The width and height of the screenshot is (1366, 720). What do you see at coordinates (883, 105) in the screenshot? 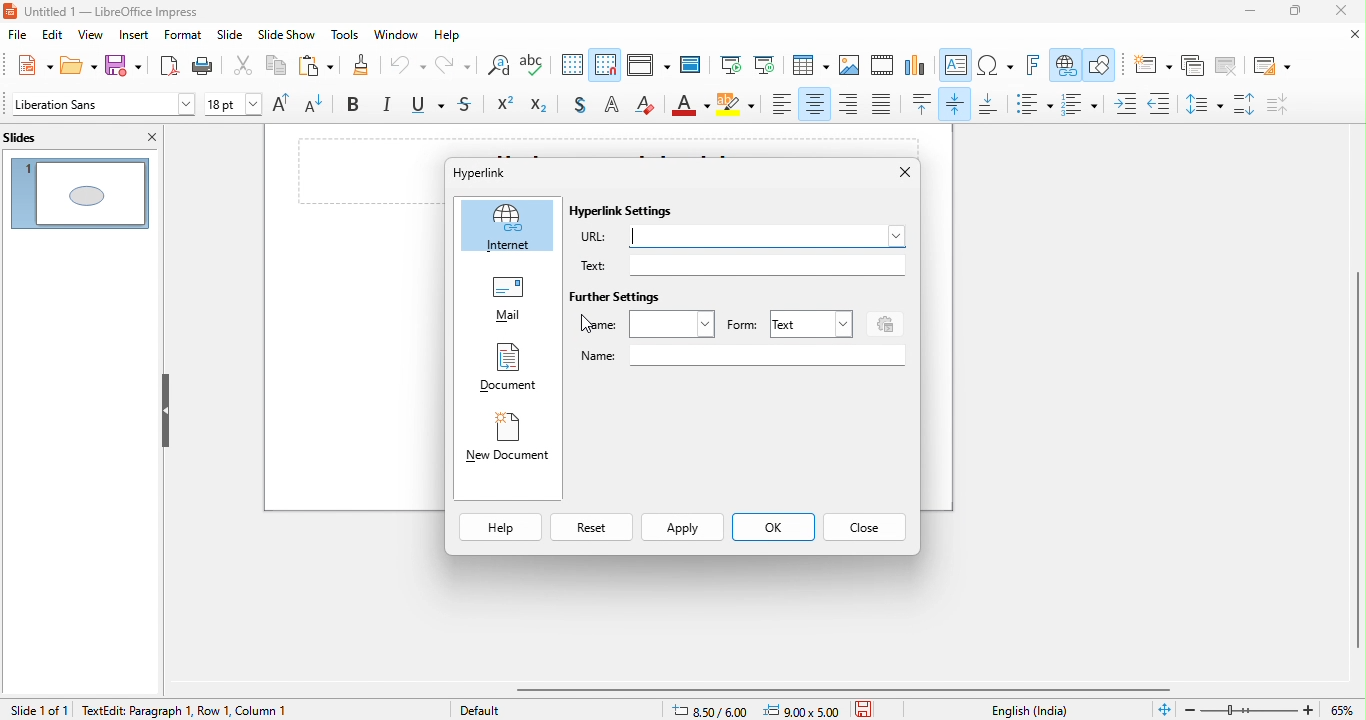
I see `justified` at bounding box center [883, 105].